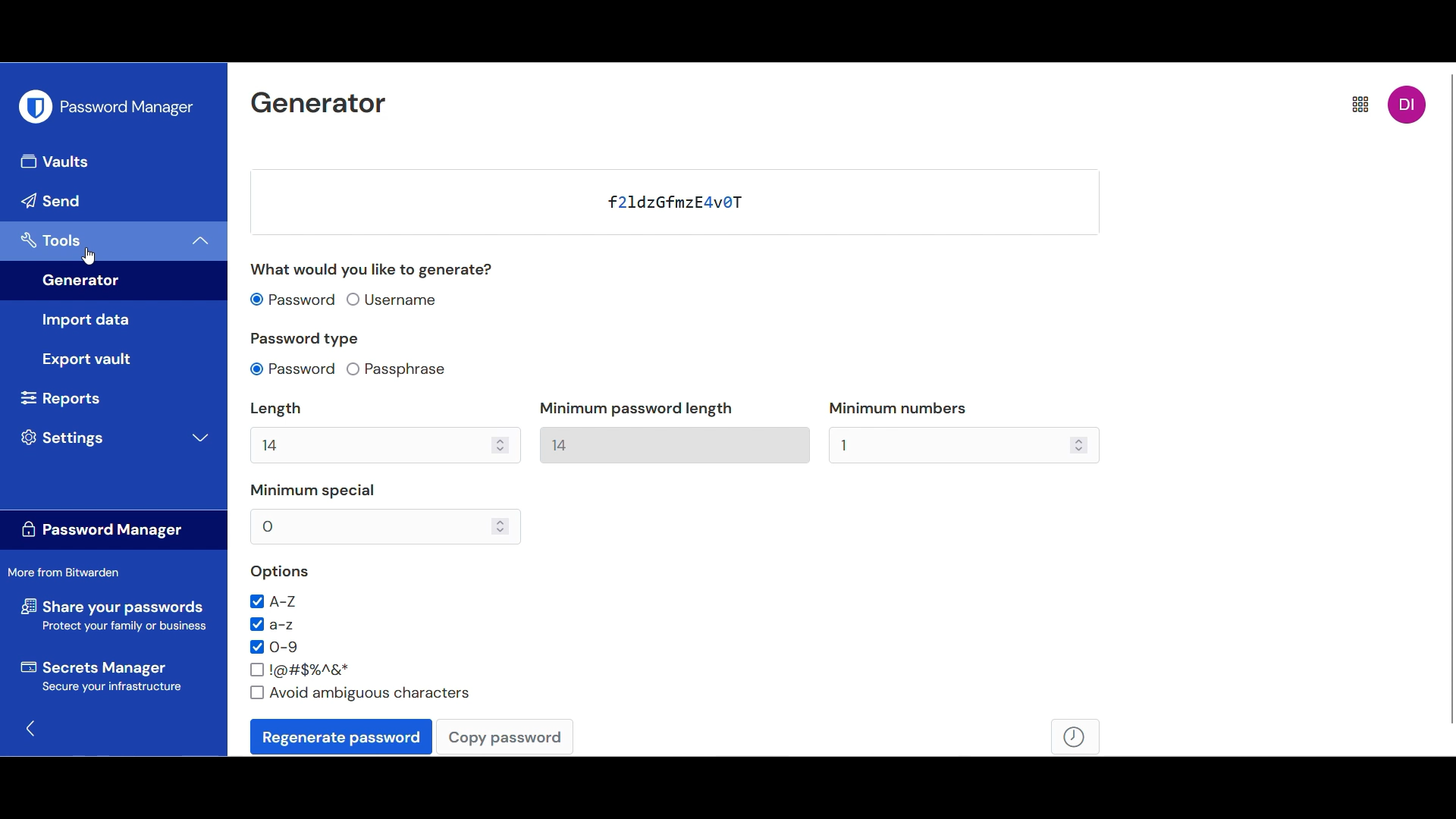  Describe the element at coordinates (359, 409) in the screenshot. I see `Indicates length settings` at that location.